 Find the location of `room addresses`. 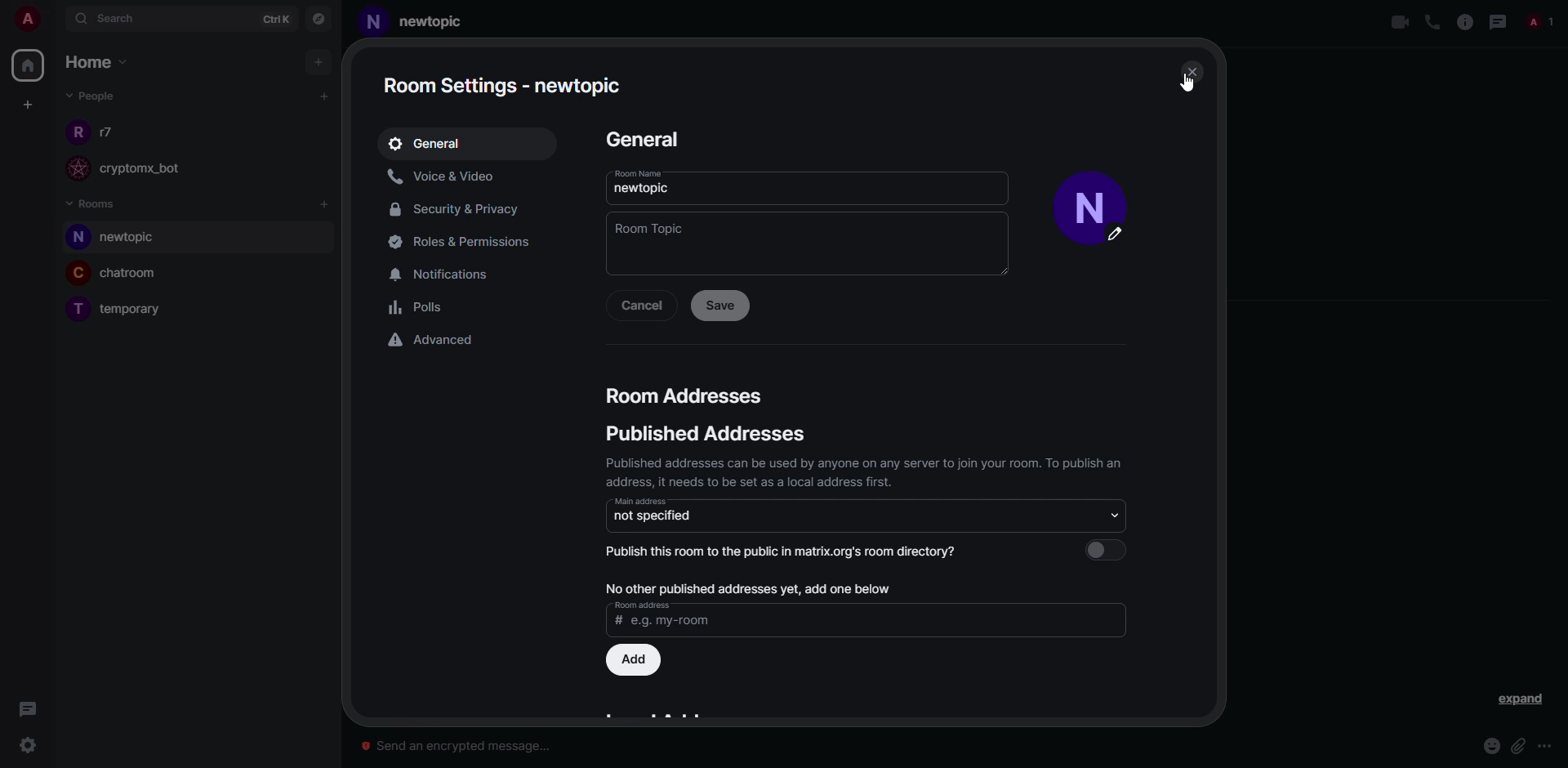

room addresses is located at coordinates (686, 395).